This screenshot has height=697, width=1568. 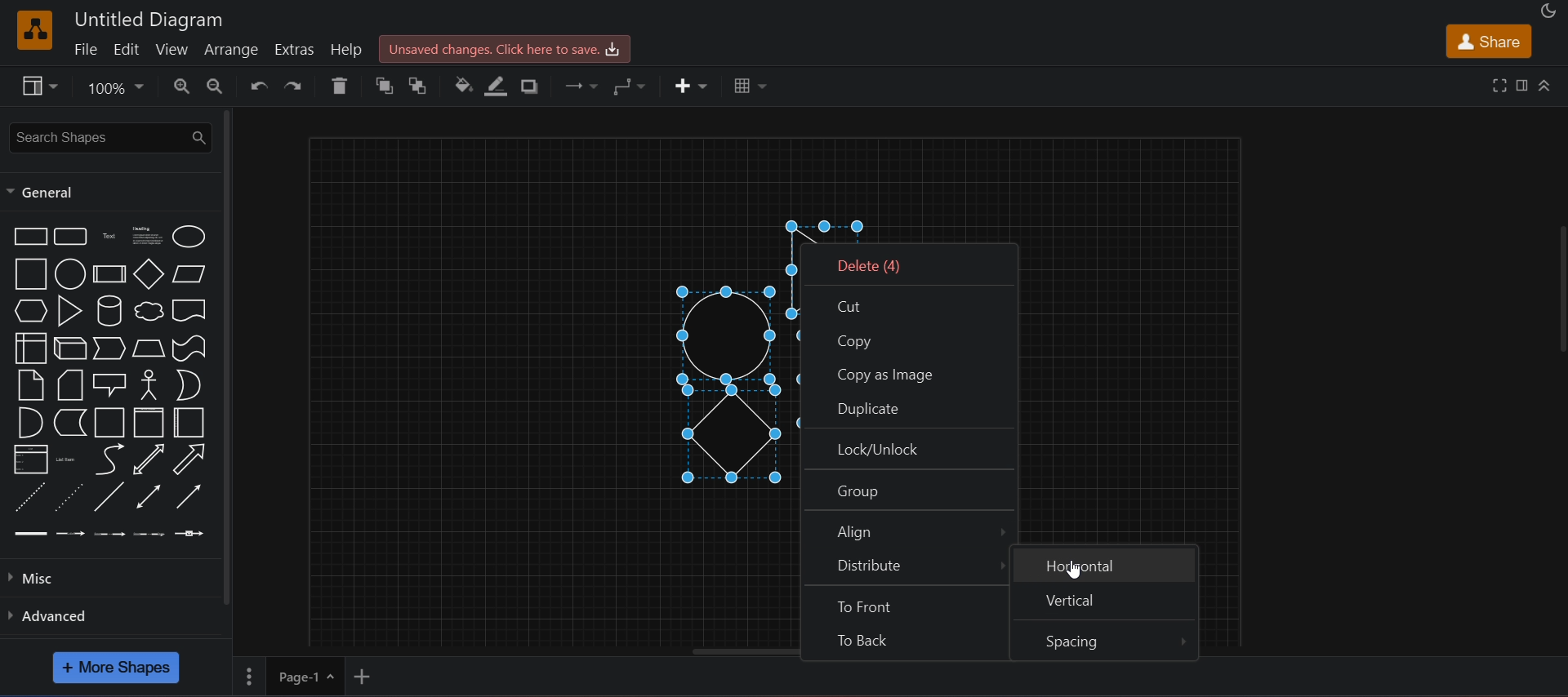 What do you see at coordinates (71, 421) in the screenshot?
I see `data storage` at bounding box center [71, 421].